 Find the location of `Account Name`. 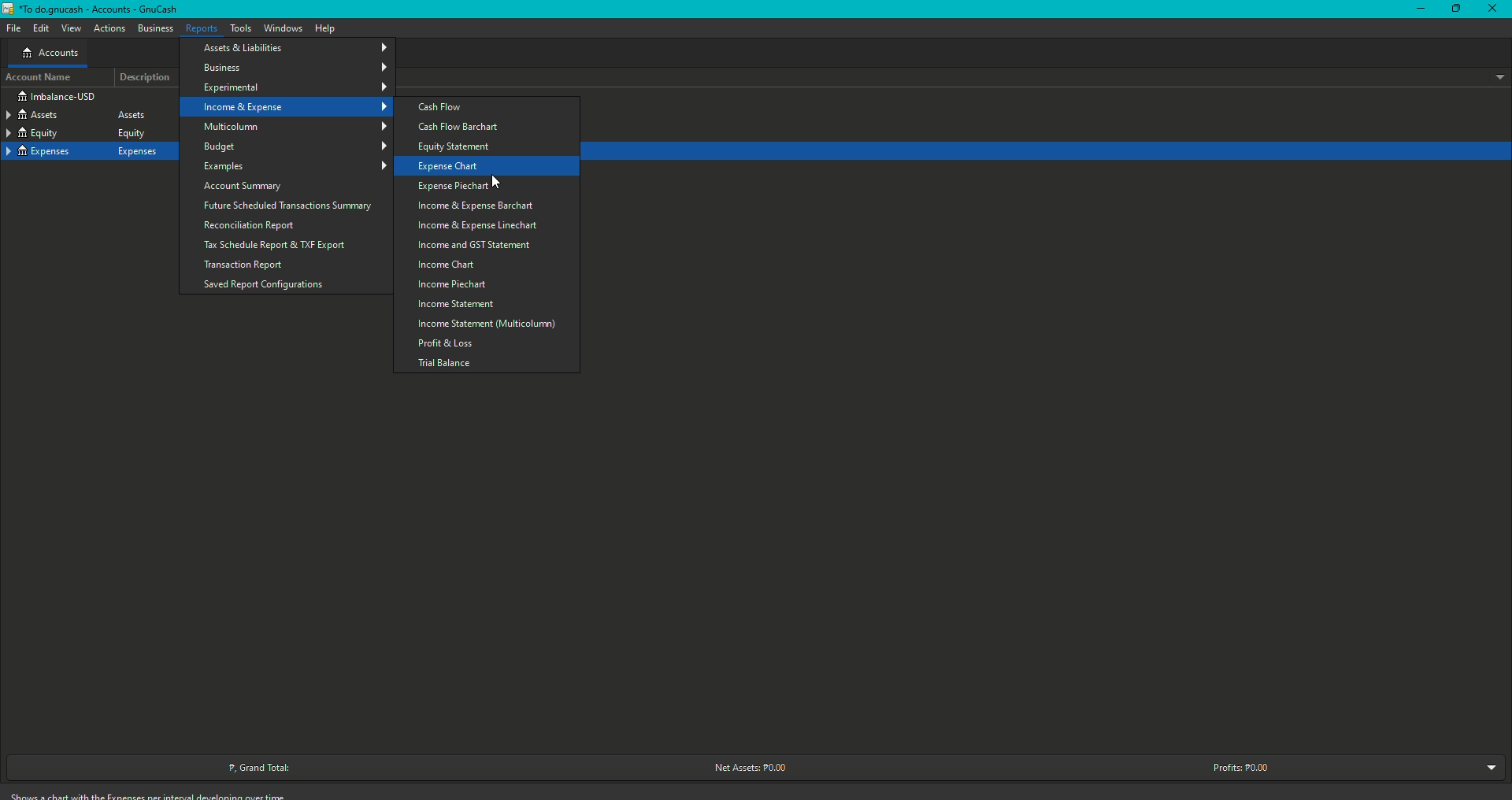

Account Name is located at coordinates (37, 78).